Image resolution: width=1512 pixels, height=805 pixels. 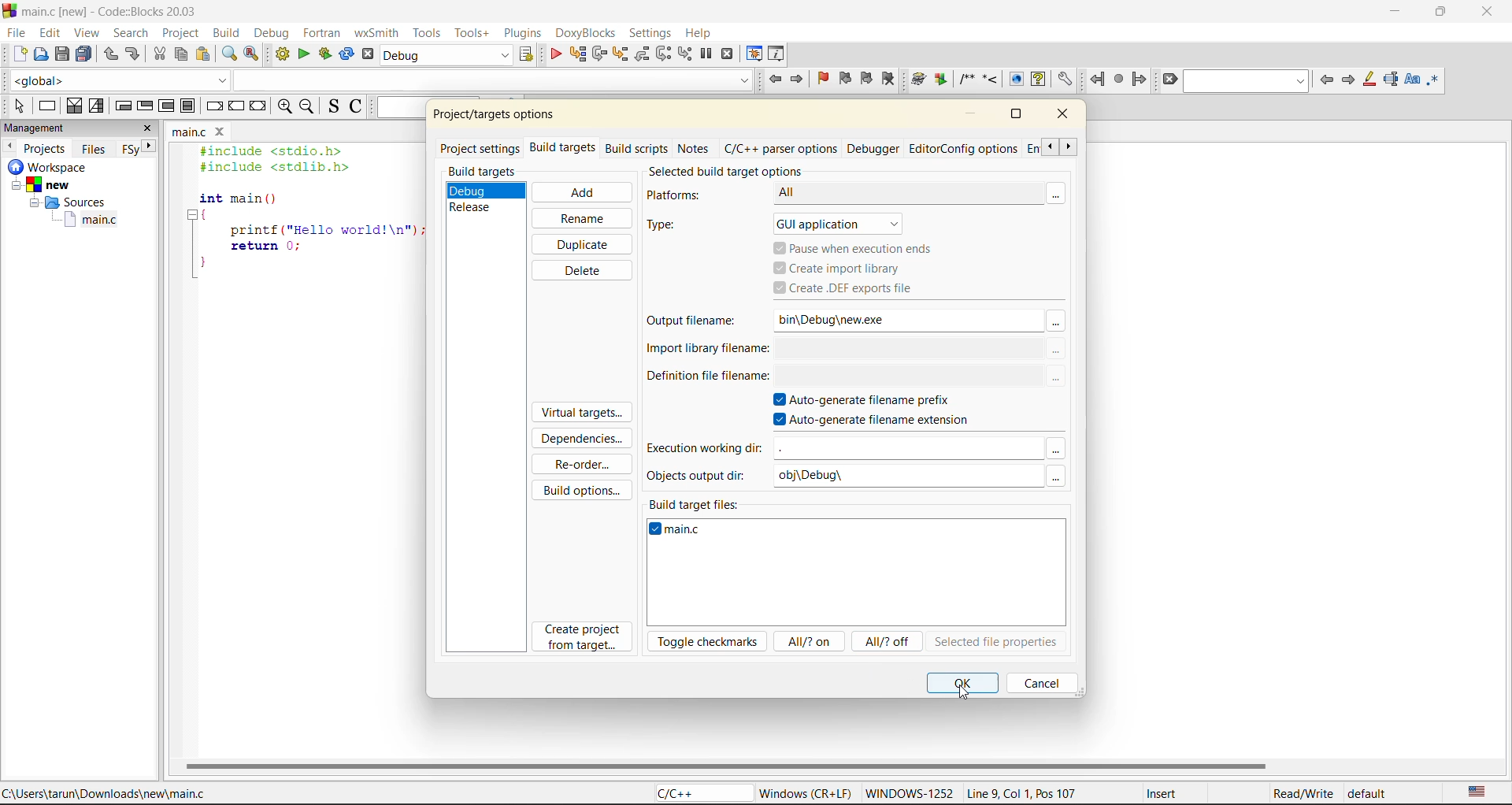 I want to click on search, so click(x=130, y=34).